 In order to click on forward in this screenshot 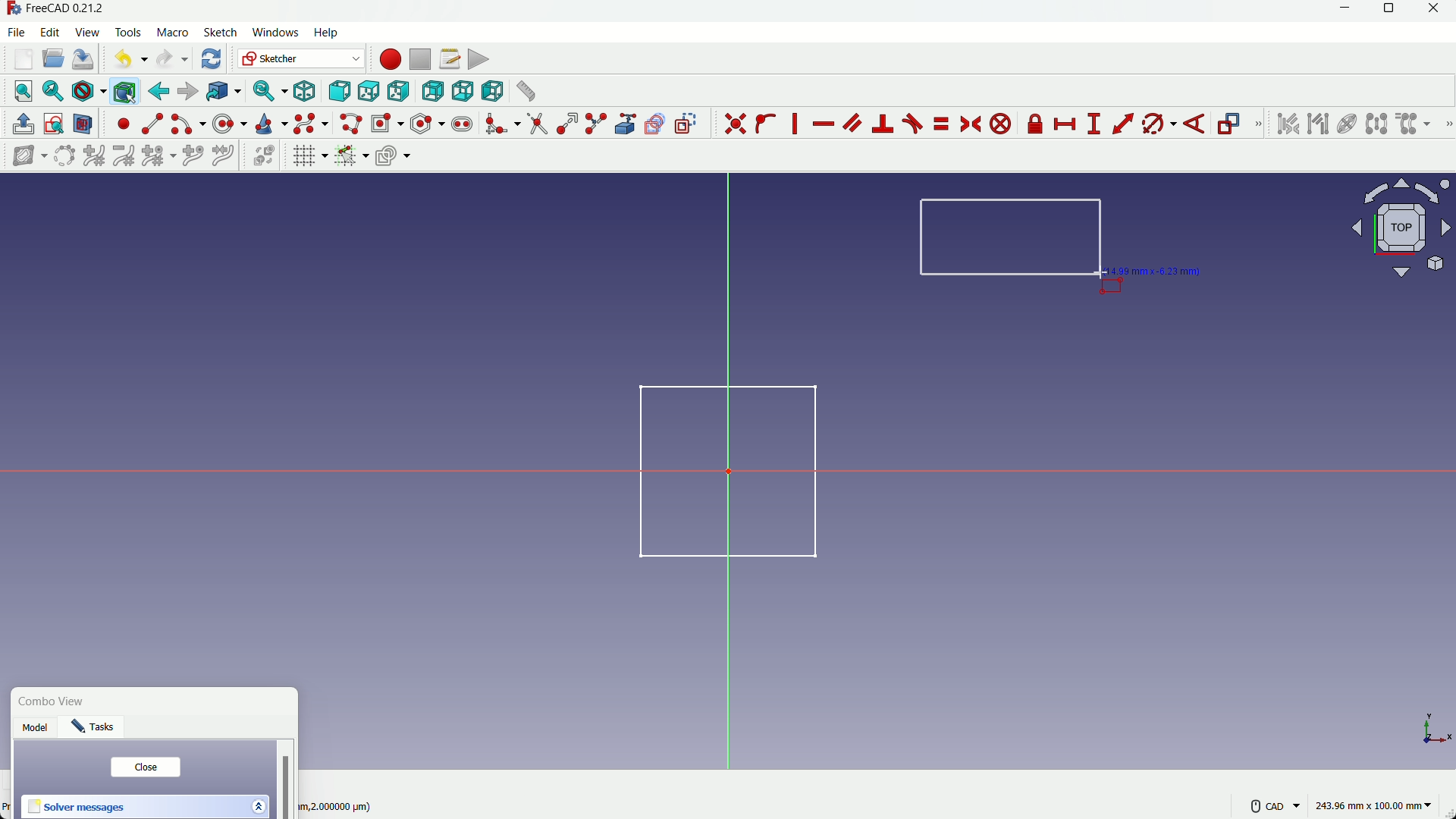, I will do `click(187, 92)`.